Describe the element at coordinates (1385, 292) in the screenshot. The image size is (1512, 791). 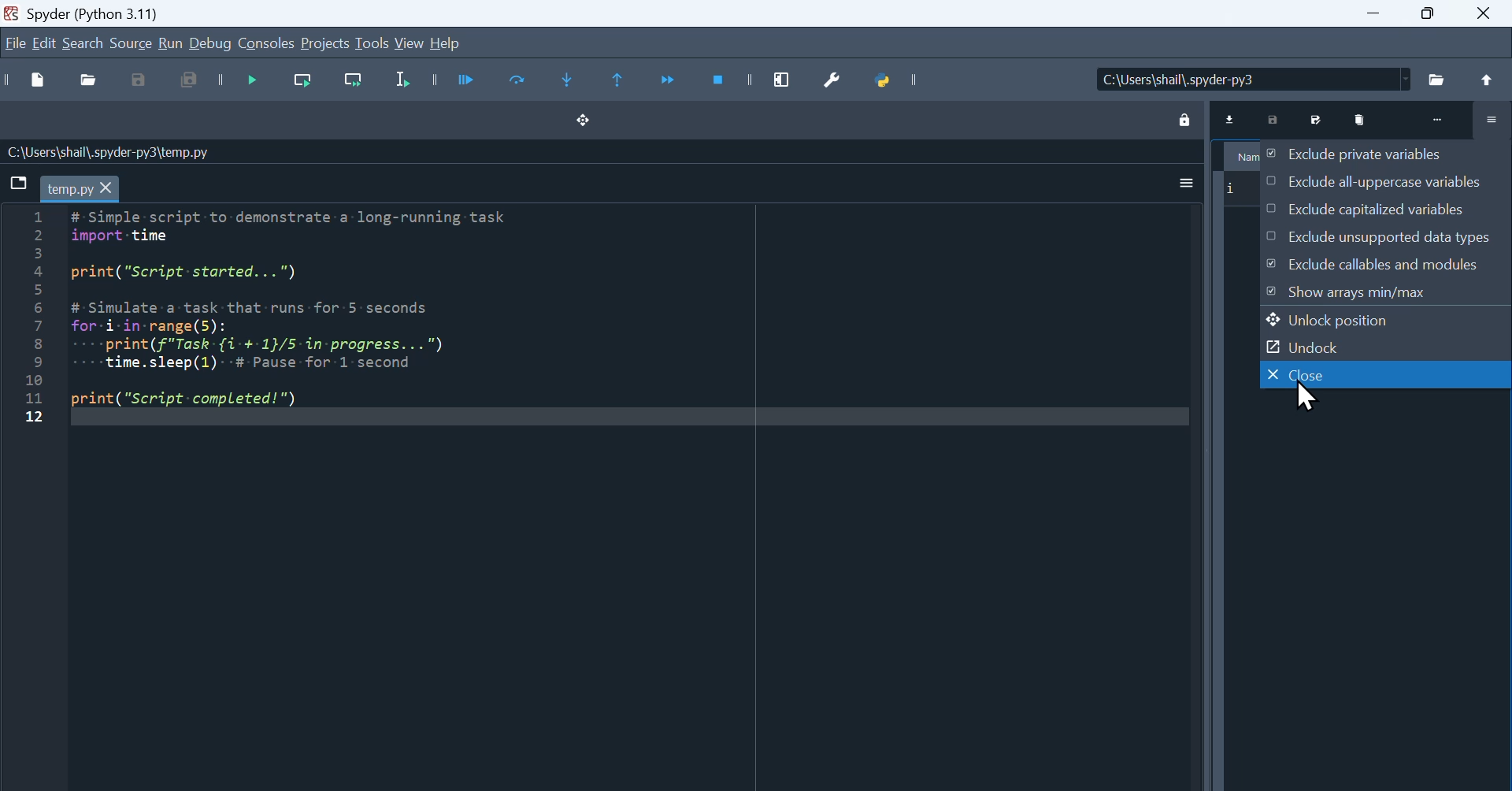
I see `Show arrays min/max` at that location.